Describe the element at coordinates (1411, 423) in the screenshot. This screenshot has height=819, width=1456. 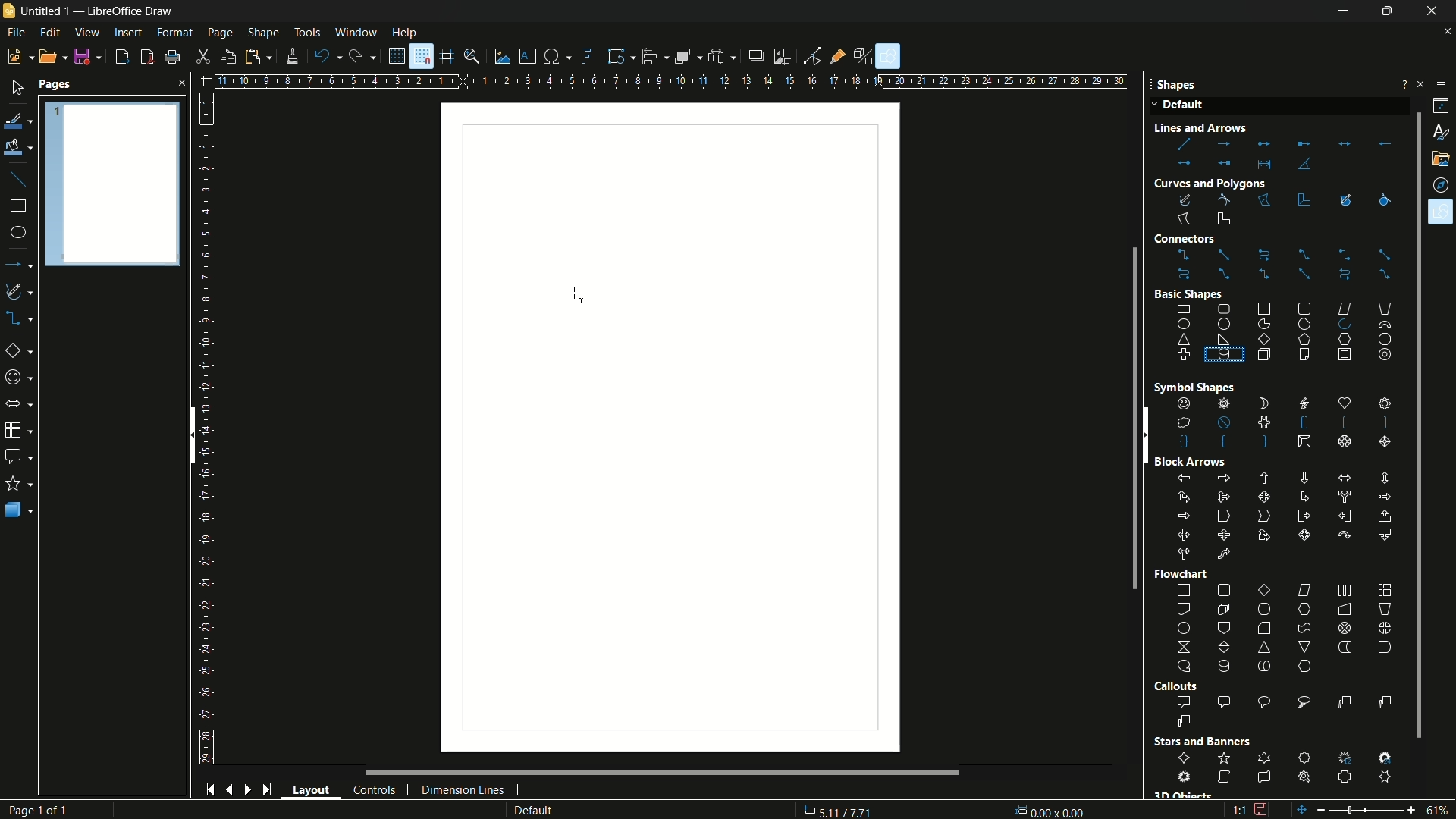
I see `scroll bar` at that location.